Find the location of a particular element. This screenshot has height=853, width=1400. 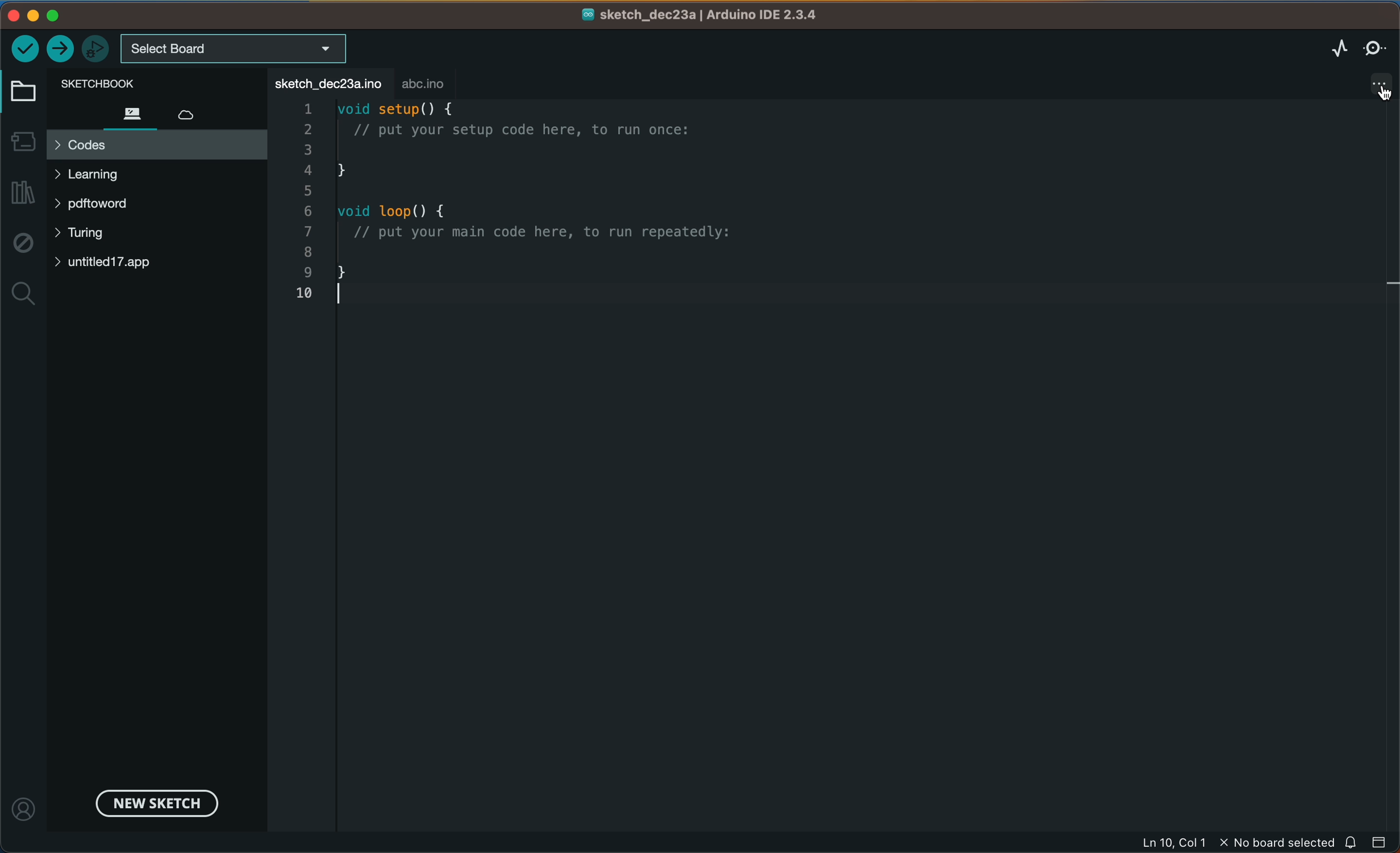

close slide bar is located at coordinates (1382, 842).